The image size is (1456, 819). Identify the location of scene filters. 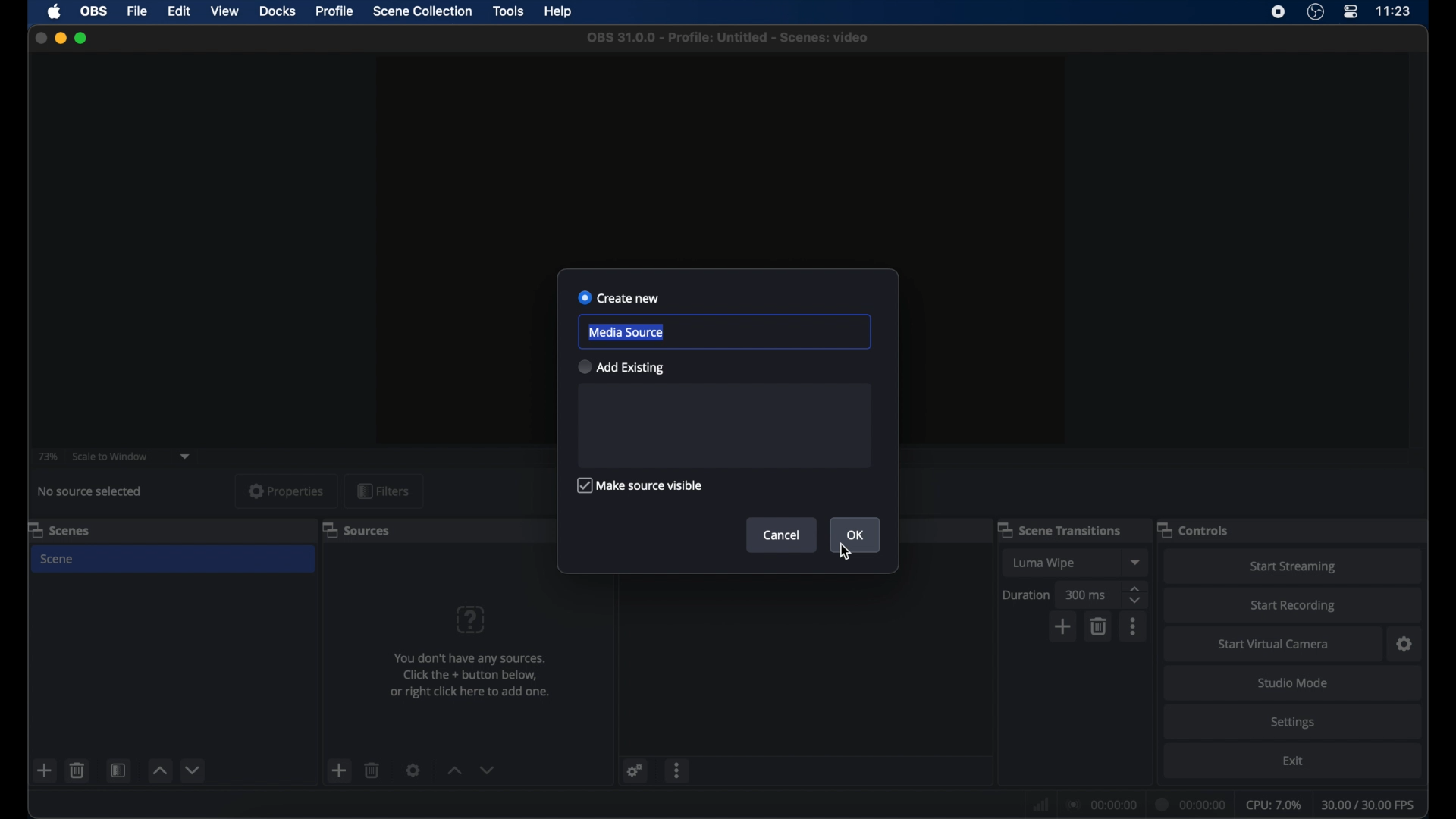
(120, 770).